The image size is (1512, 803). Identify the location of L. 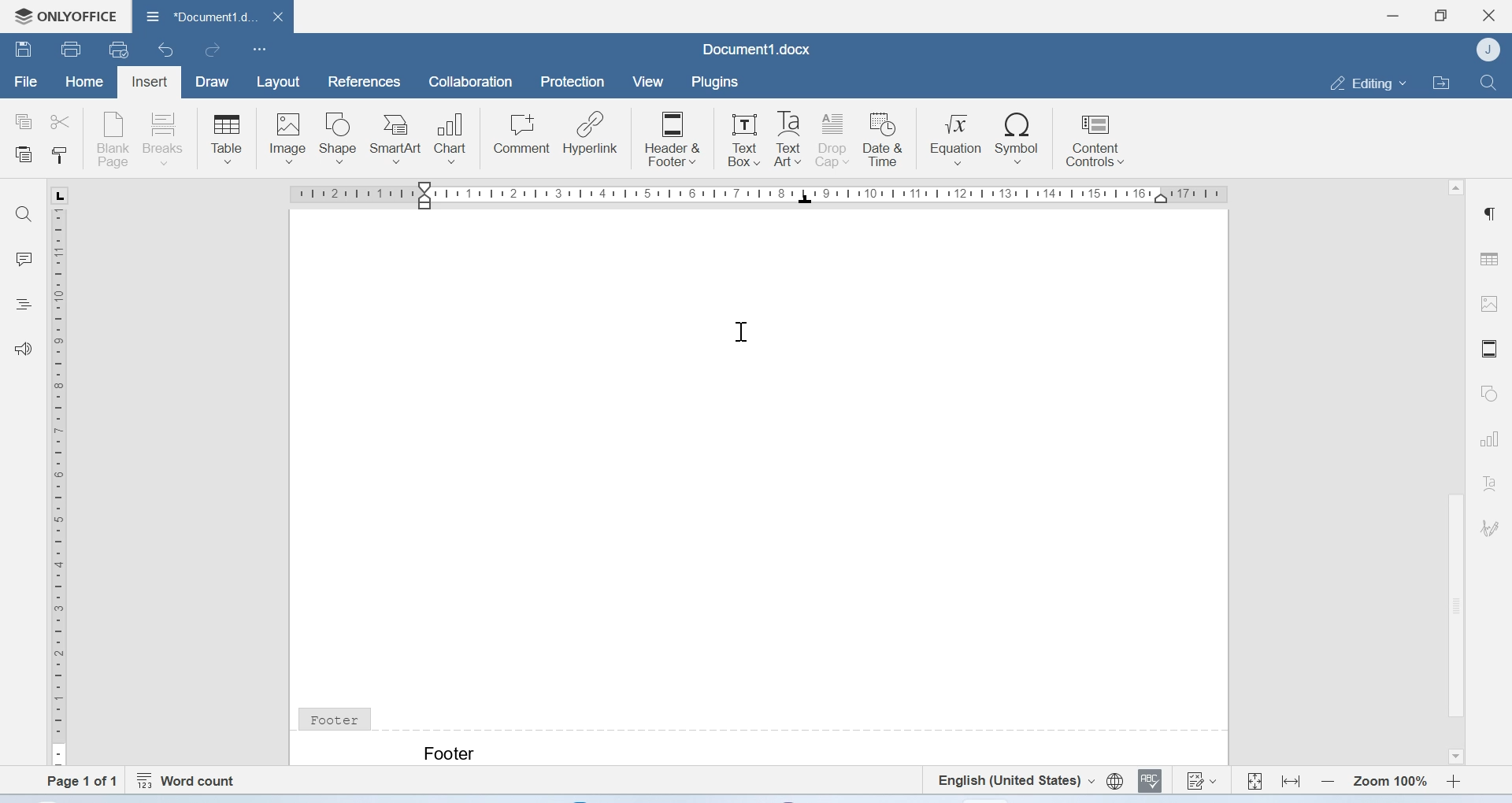
(58, 195).